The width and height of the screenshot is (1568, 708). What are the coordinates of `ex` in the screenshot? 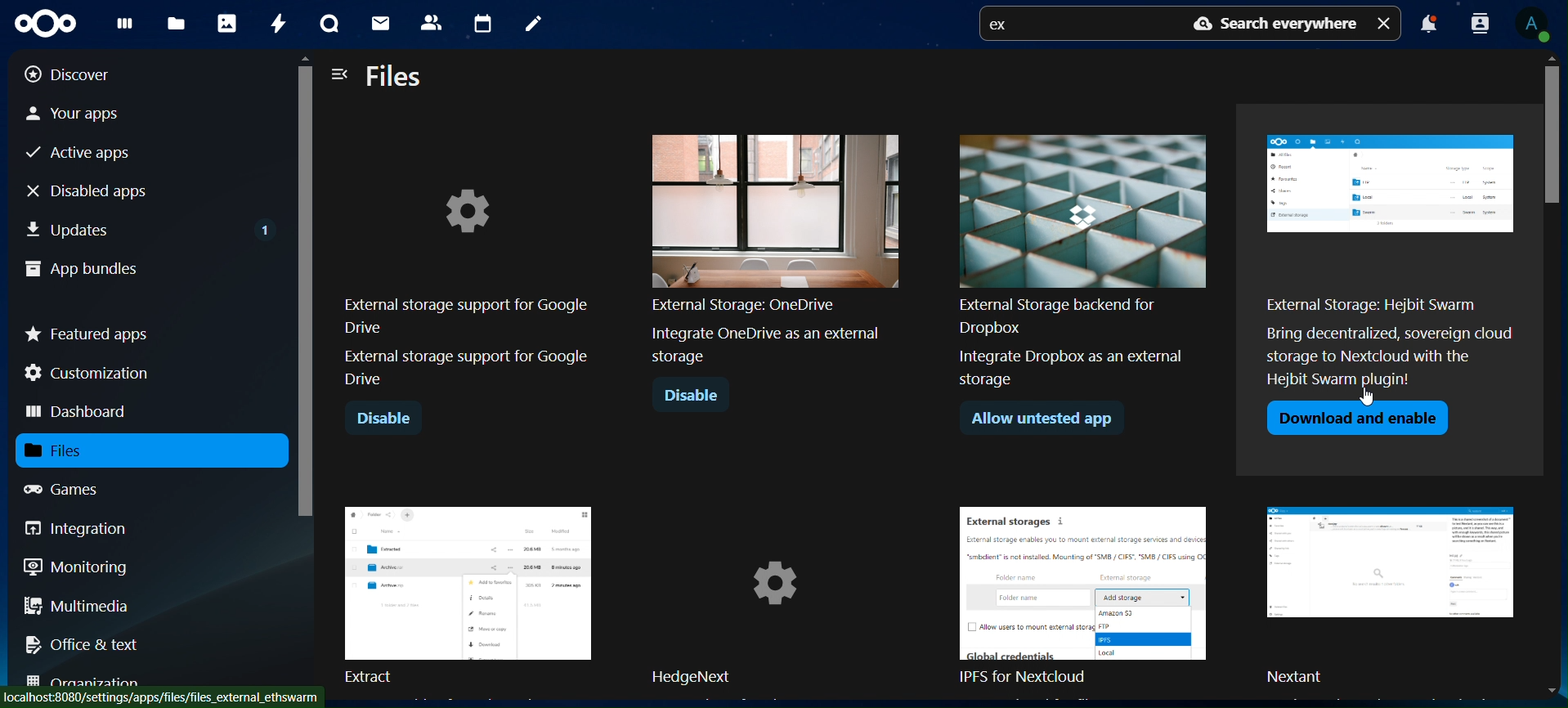 It's located at (1004, 26).